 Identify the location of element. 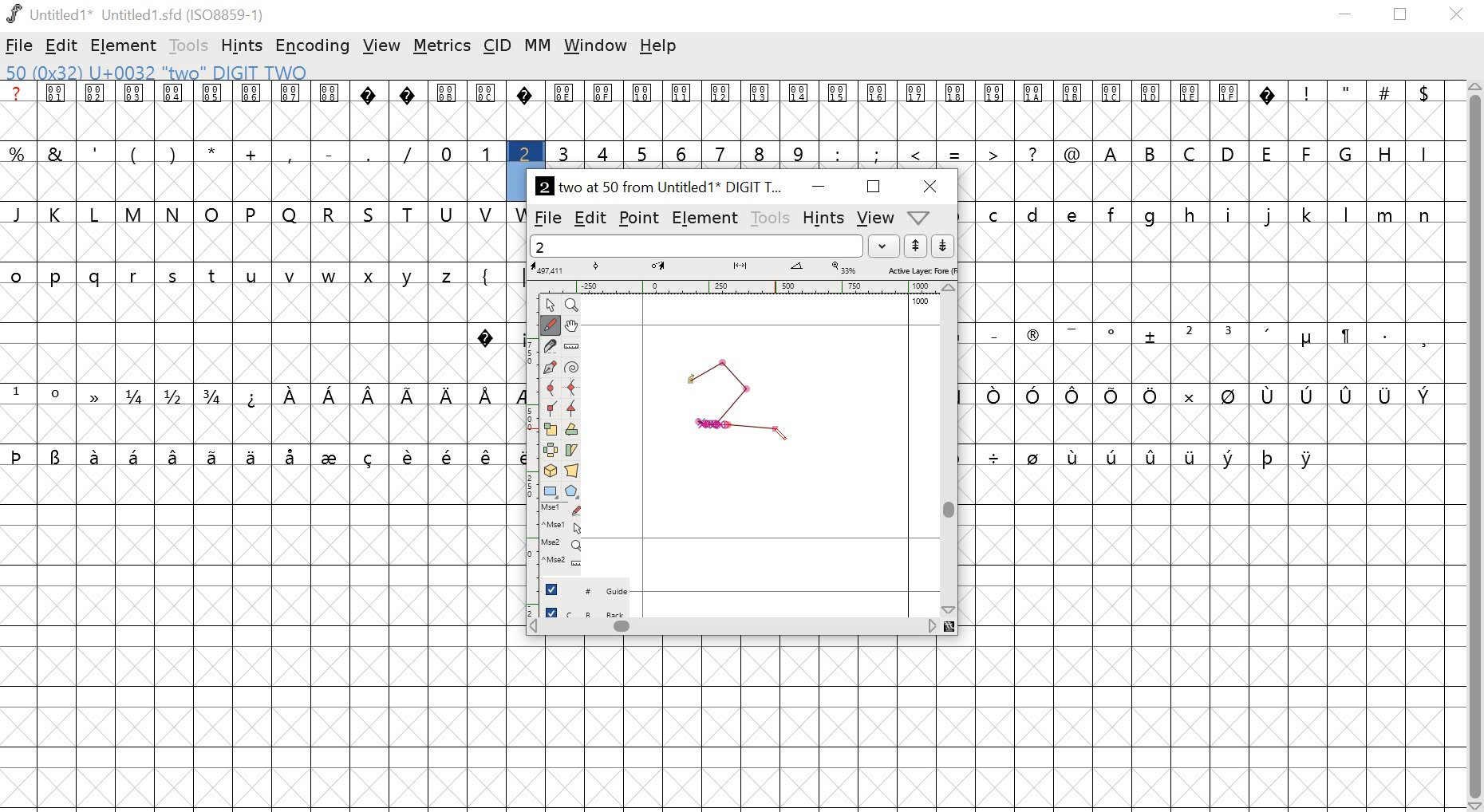
(125, 45).